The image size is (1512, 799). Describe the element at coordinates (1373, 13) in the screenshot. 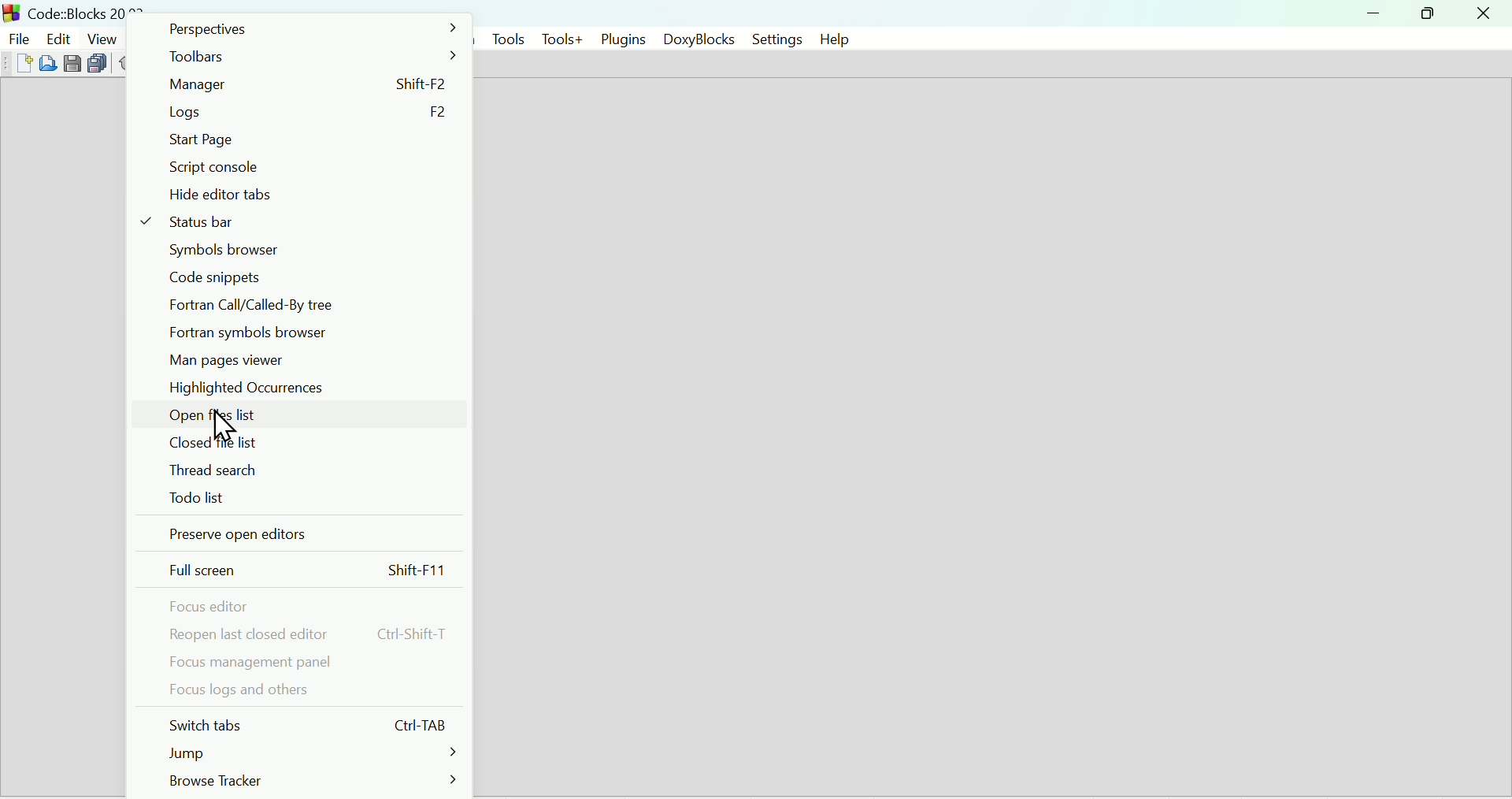

I see `minimize` at that location.